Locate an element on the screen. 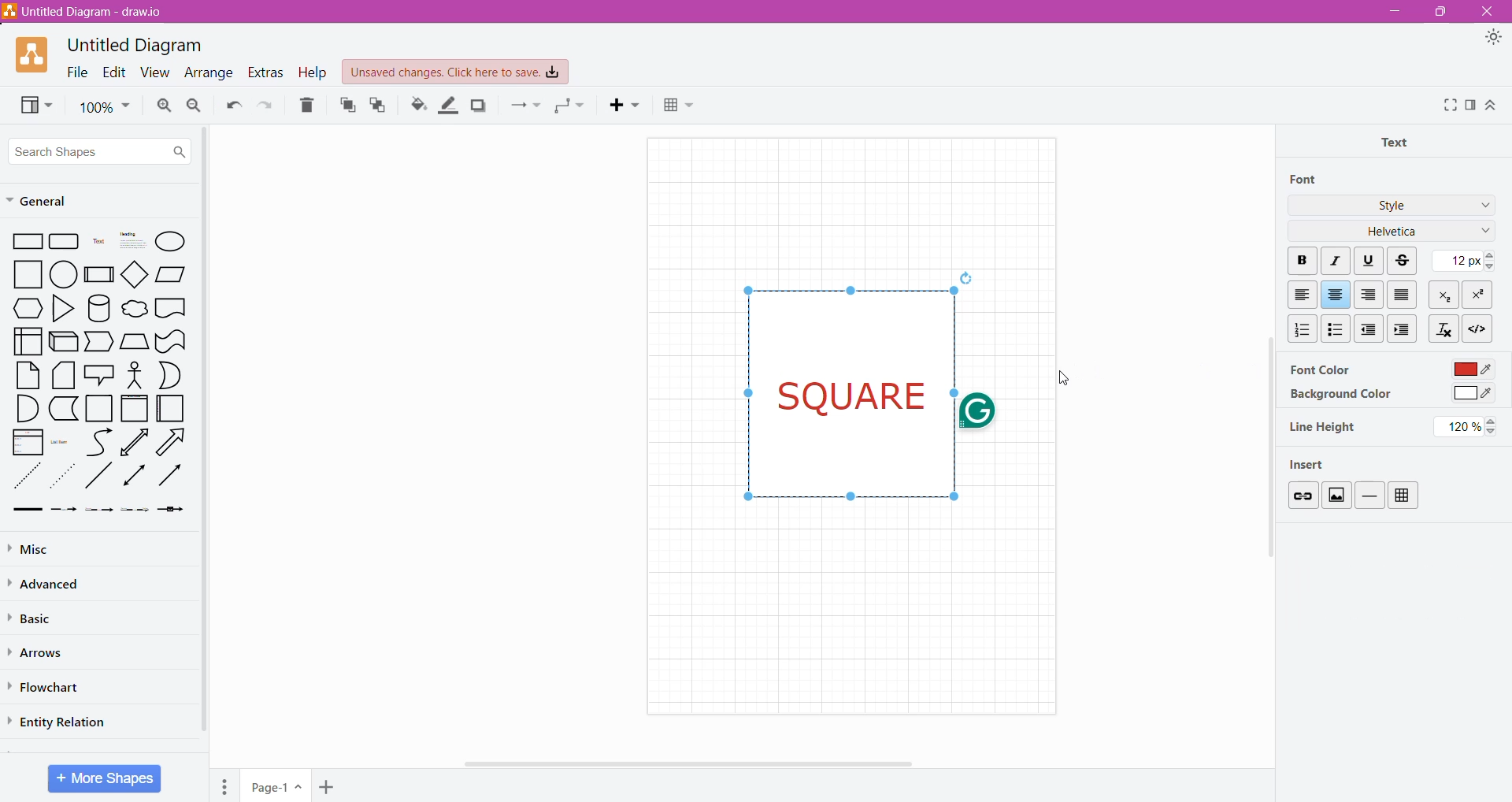 The height and width of the screenshot is (802, 1512). Increase Indent is located at coordinates (1404, 329).